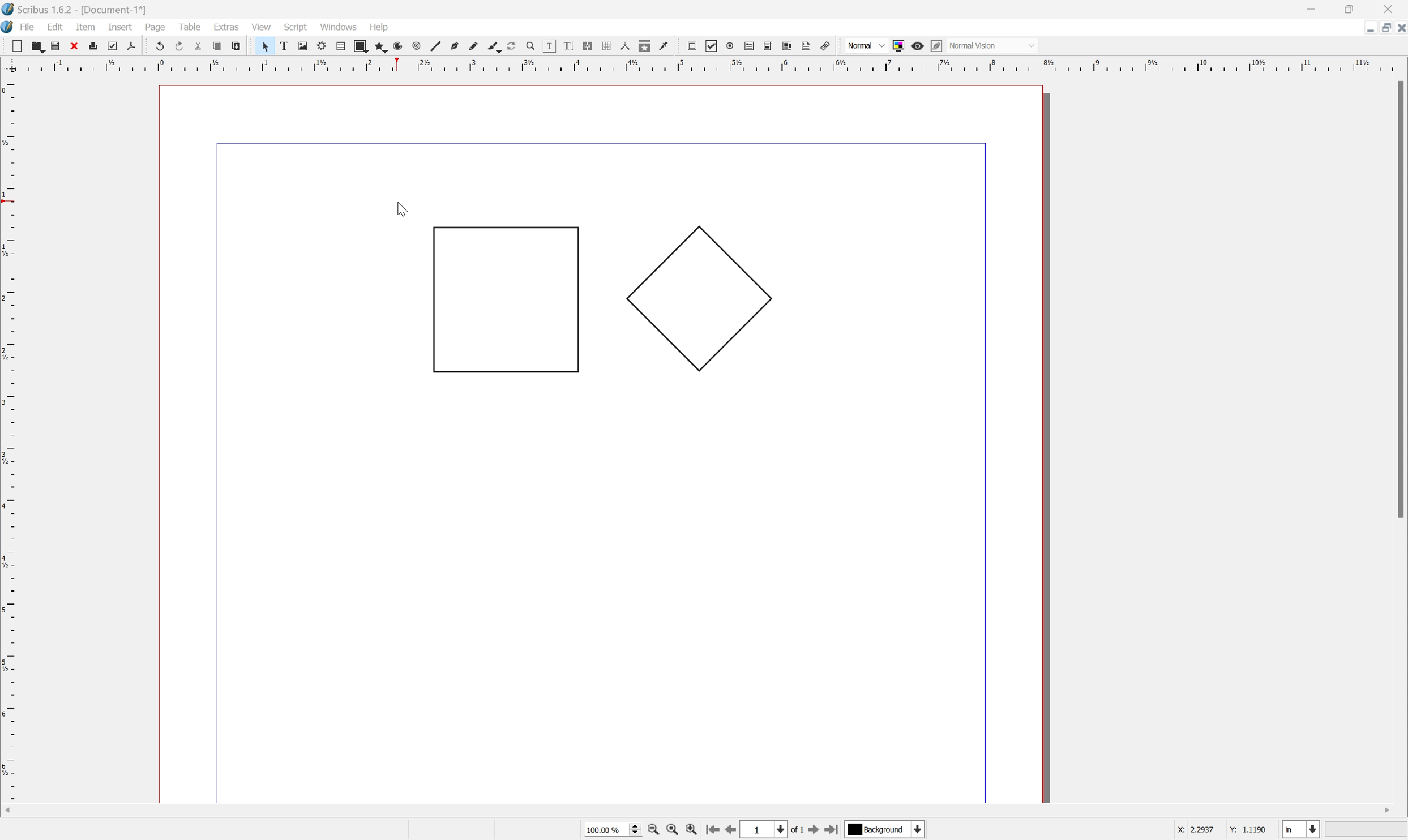 Image resolution: width=1408 pixels, height=840 pixels. I want to click on Cursor, so click(400, 207).